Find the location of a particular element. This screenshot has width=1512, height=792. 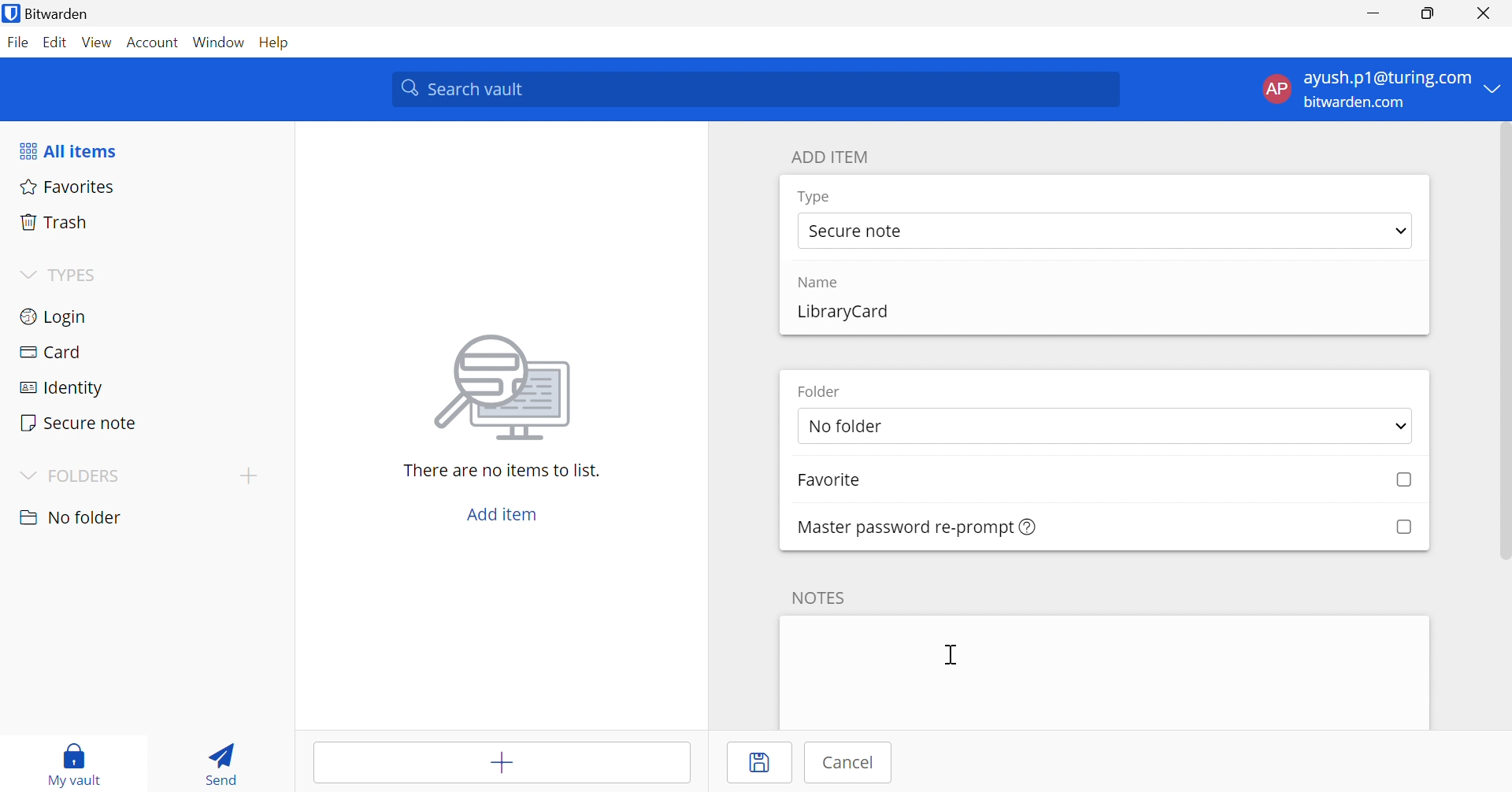

NOTES is located at coordinates (819, 597).